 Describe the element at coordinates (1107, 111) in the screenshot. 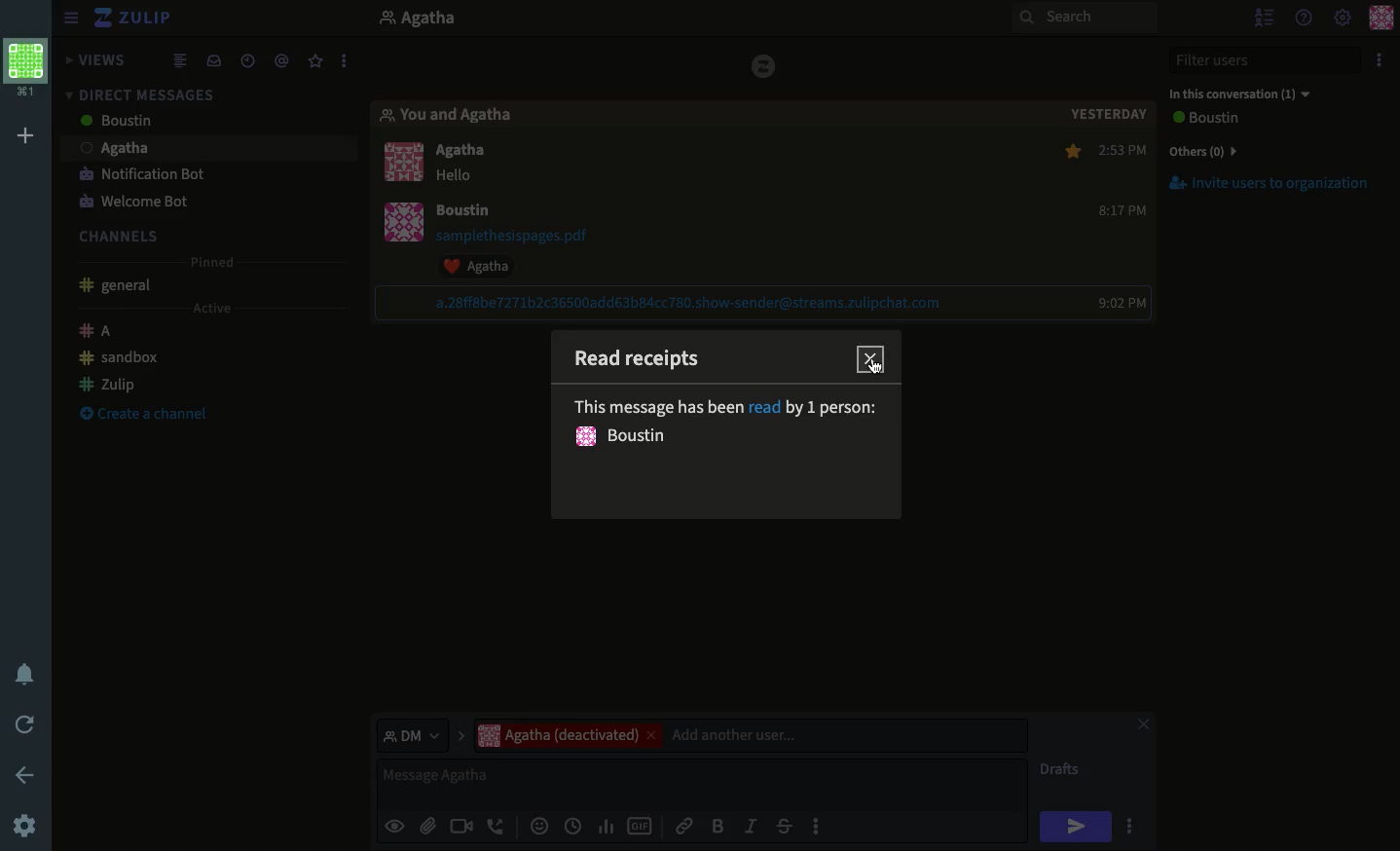

I see `yesterday` at that location.